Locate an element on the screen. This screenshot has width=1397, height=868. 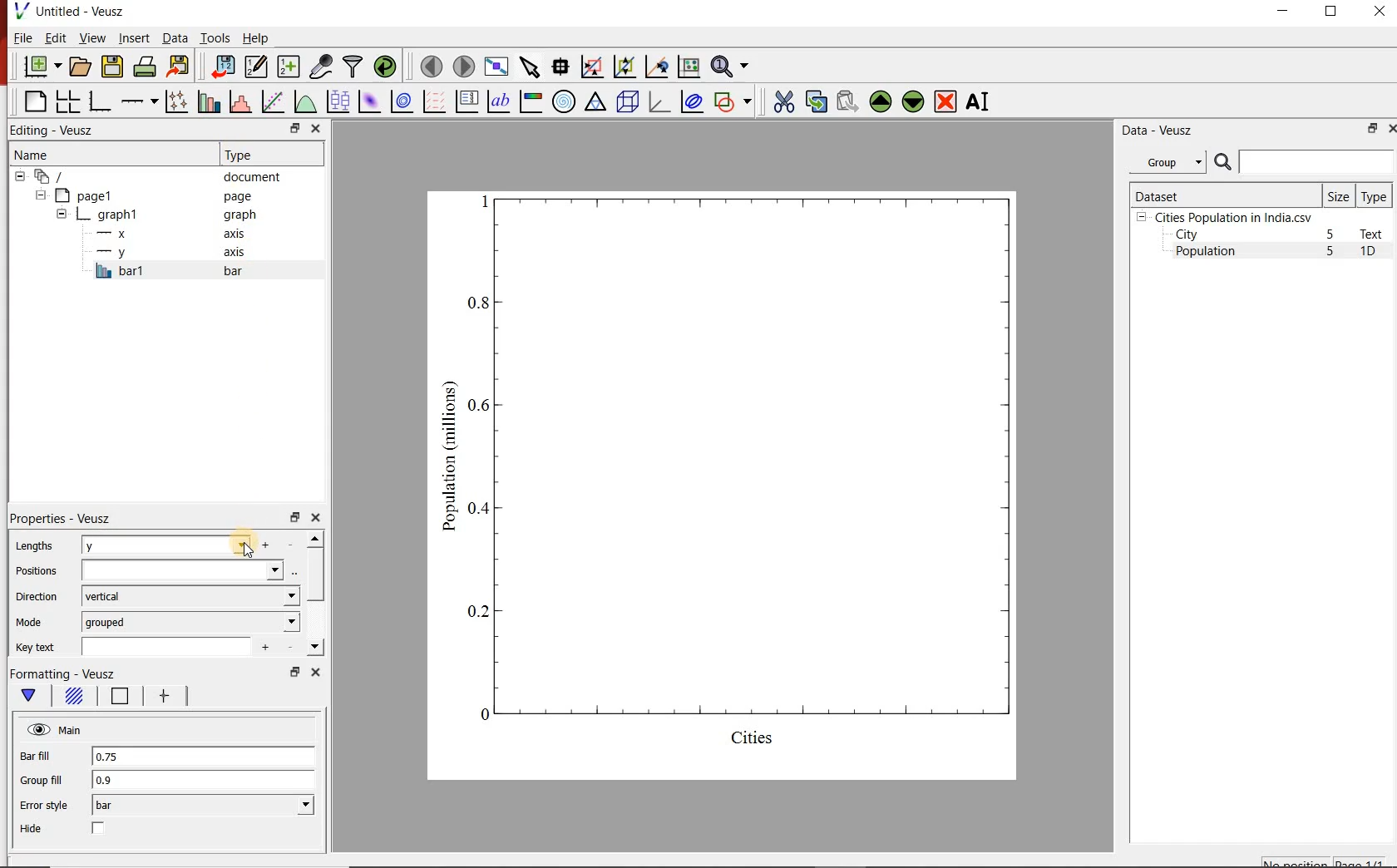
blank page is located at coordinates (33, 102).